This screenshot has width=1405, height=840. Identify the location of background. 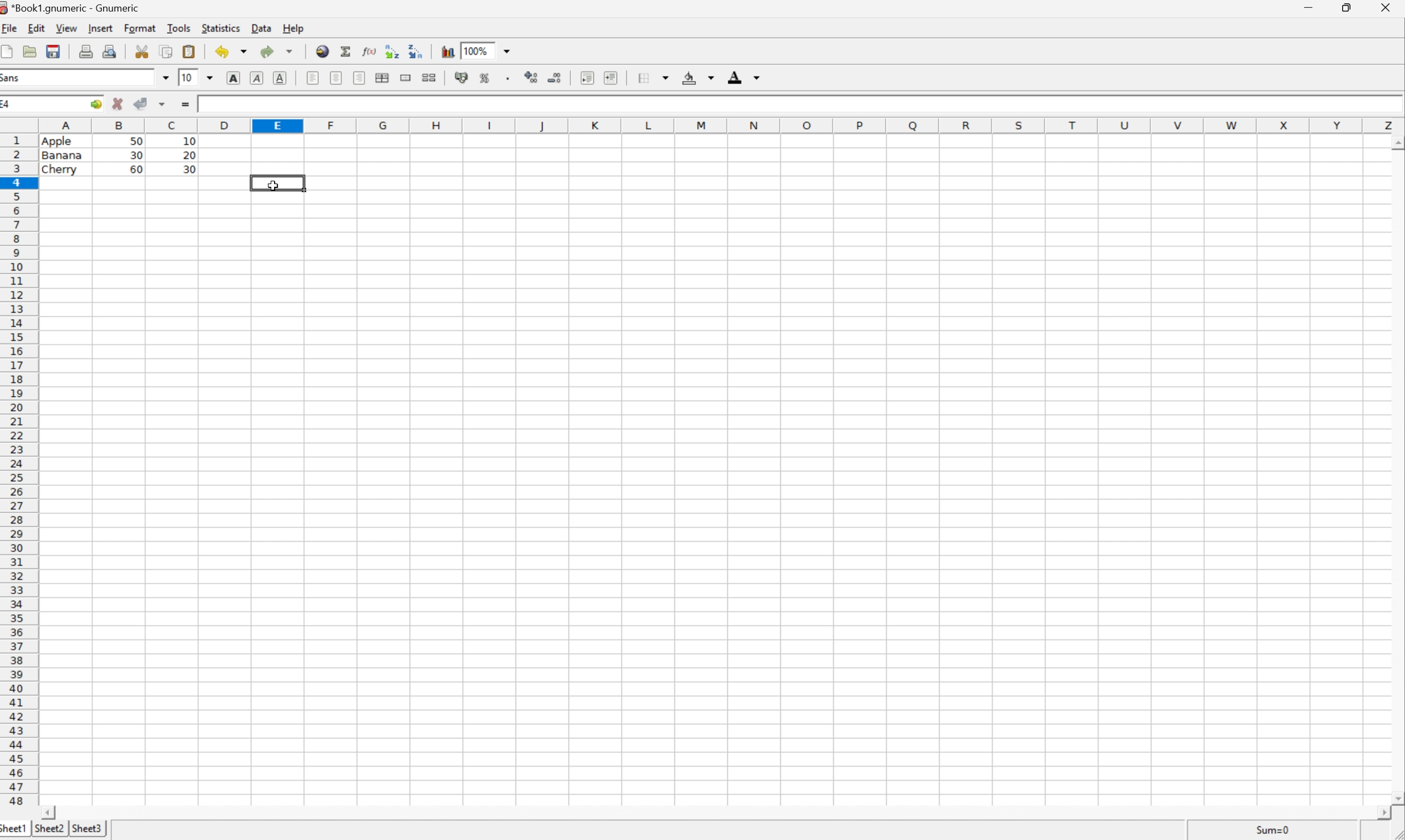
(700, 78).